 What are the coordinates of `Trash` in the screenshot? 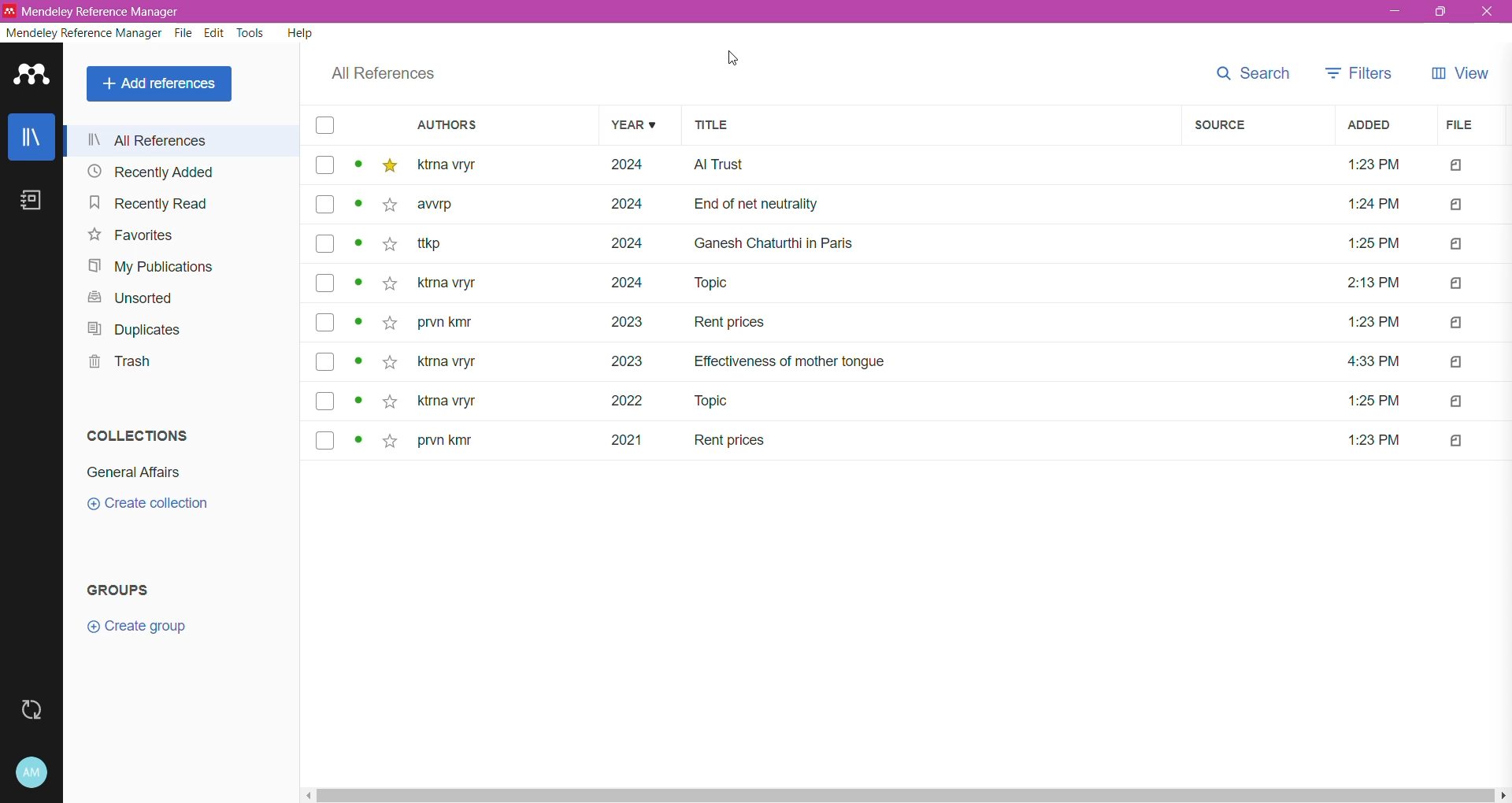 It's located at (117, 364).